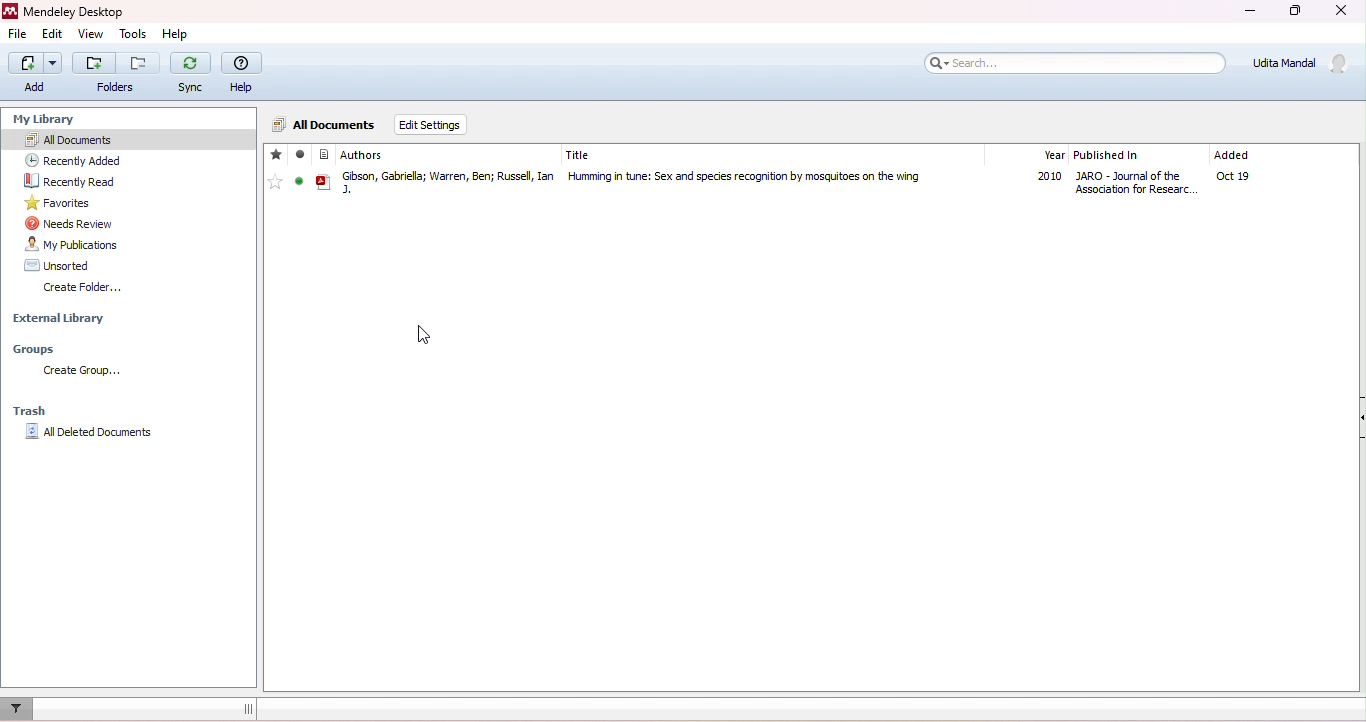 The image size is (1366, 722). What do you see at coordinates (1112, 156) in the screenshot?
I see `published in` at bounding box center [1112, 156].